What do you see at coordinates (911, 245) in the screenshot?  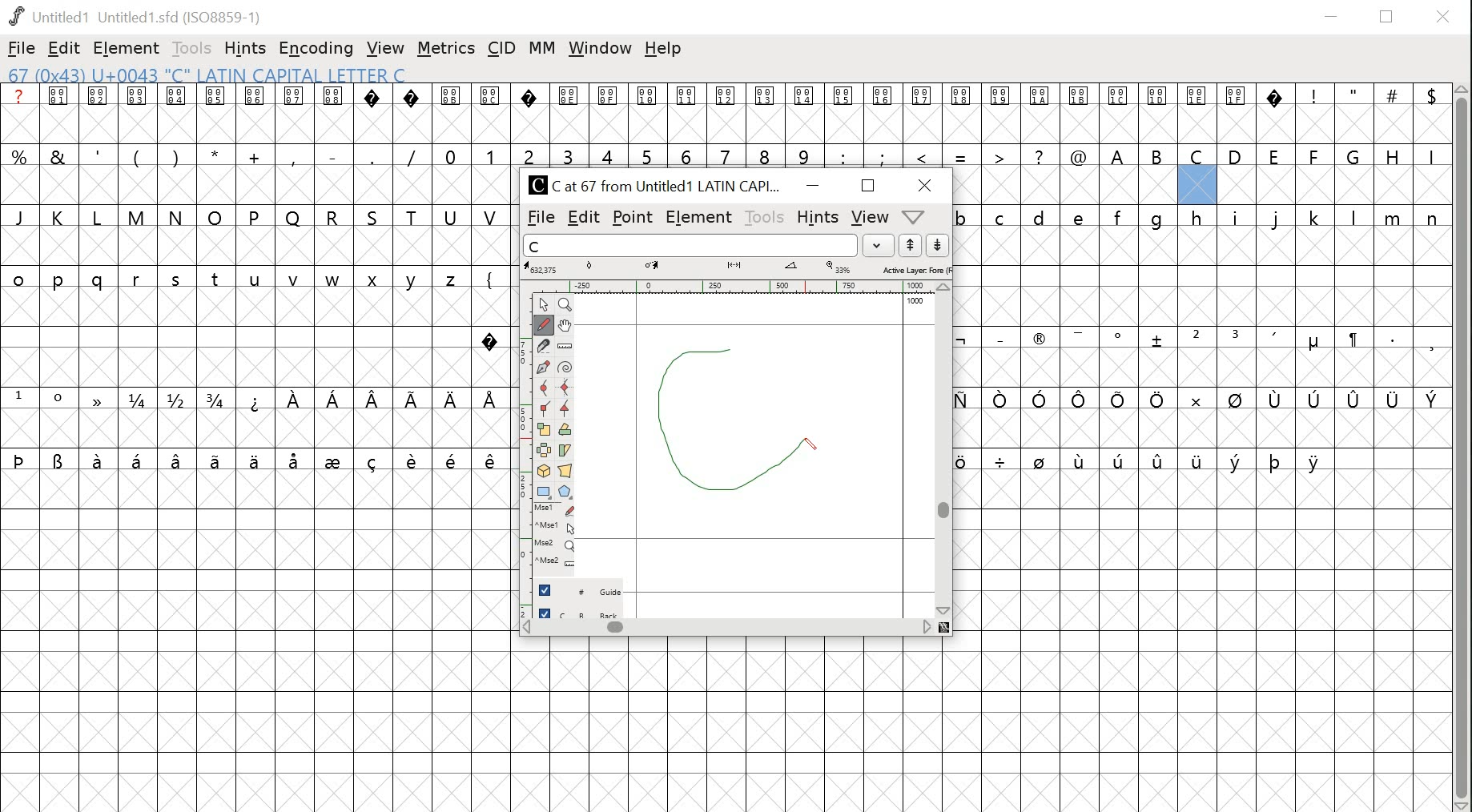 I see `up` at bounding box center [911, 245].